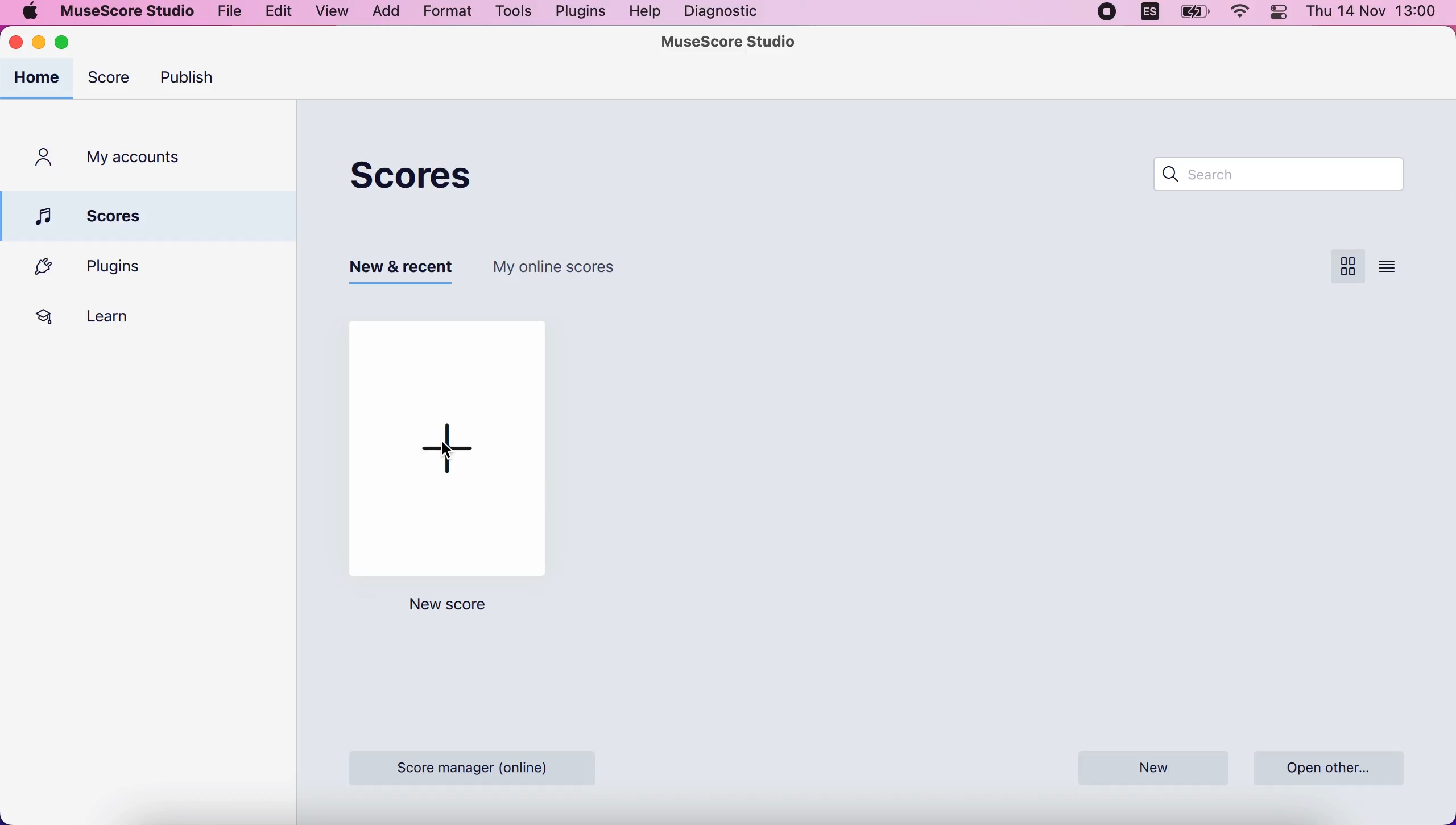  What do you see at coordinates (405, 270) in the screenshot?
I see `new and recent` at bounding box center [405, 270].